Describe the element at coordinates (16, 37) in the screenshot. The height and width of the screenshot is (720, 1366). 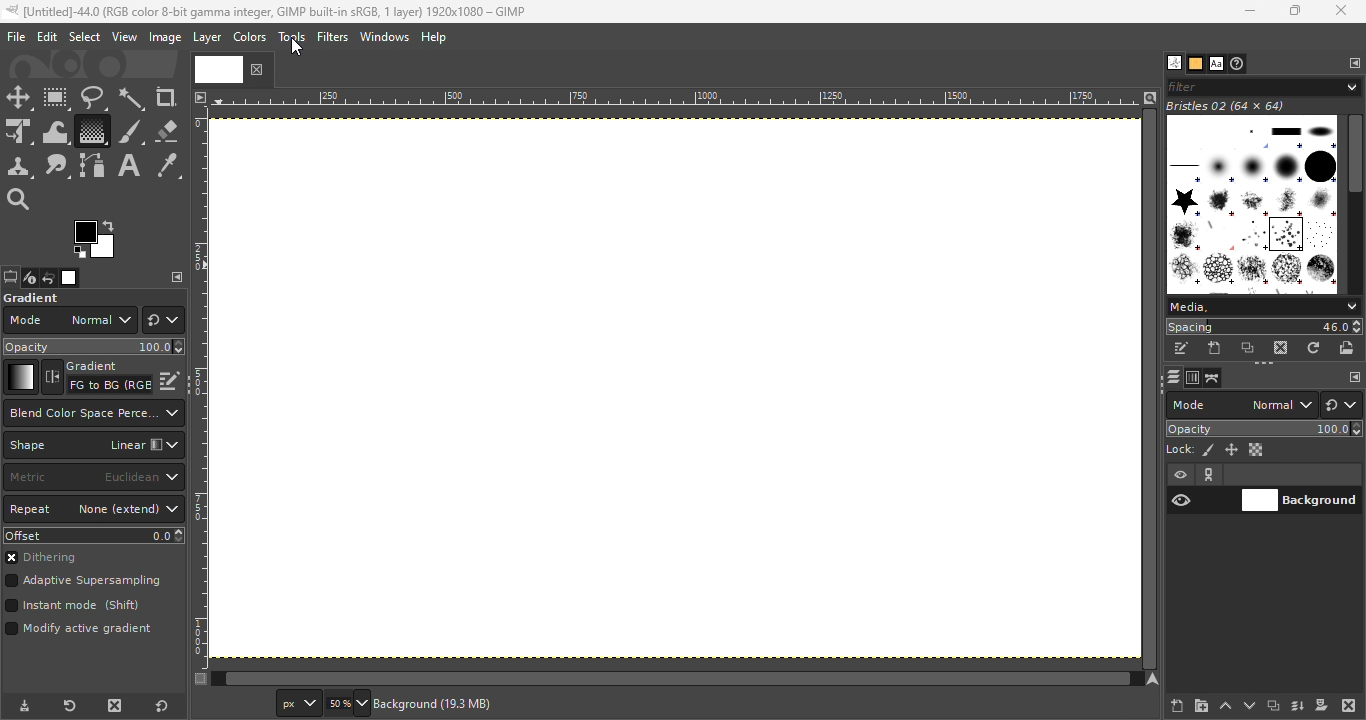
I see `File` at that location.